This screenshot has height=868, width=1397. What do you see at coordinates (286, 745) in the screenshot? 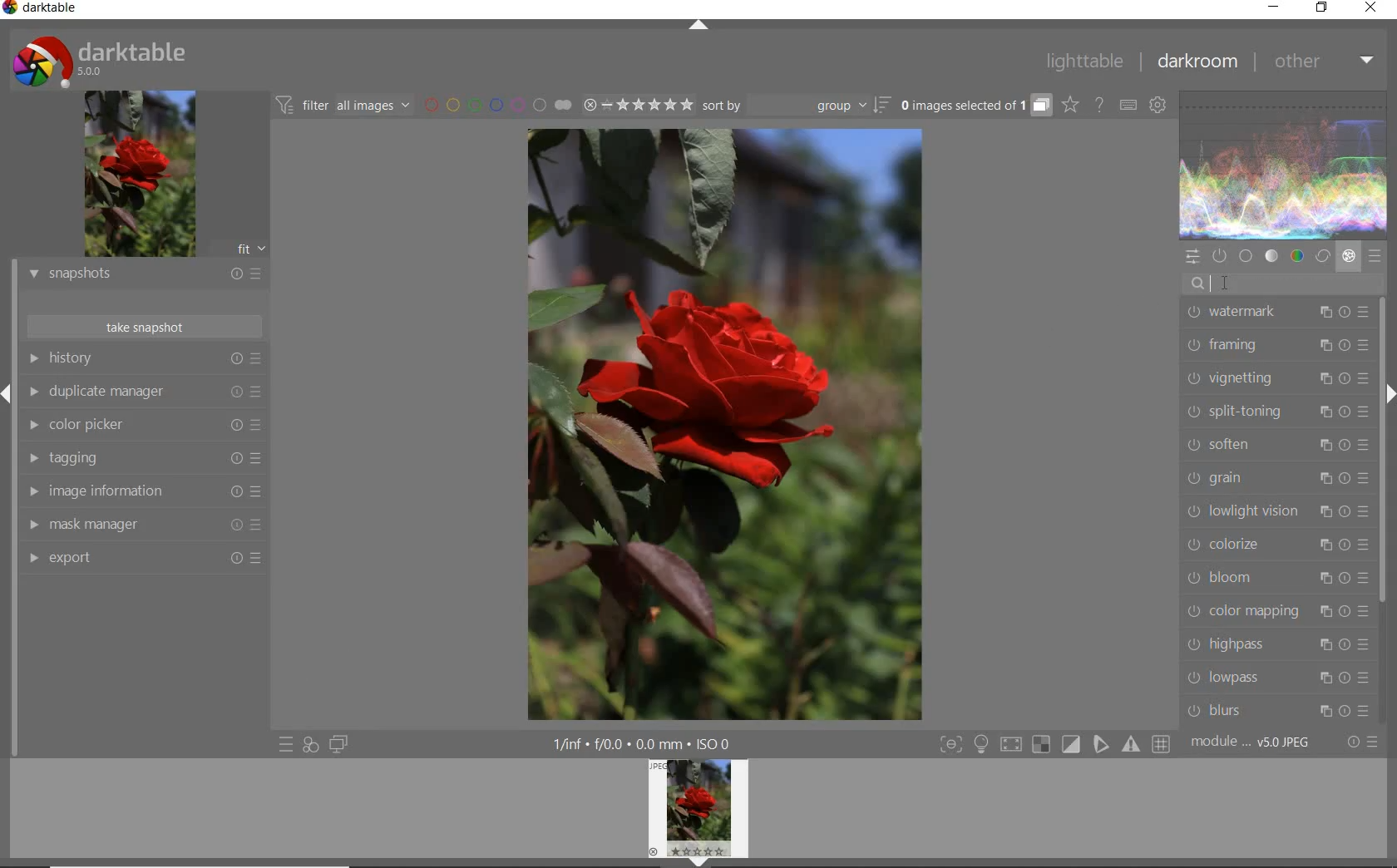
I see `quick access to presets` at bounding box center [286, 745].